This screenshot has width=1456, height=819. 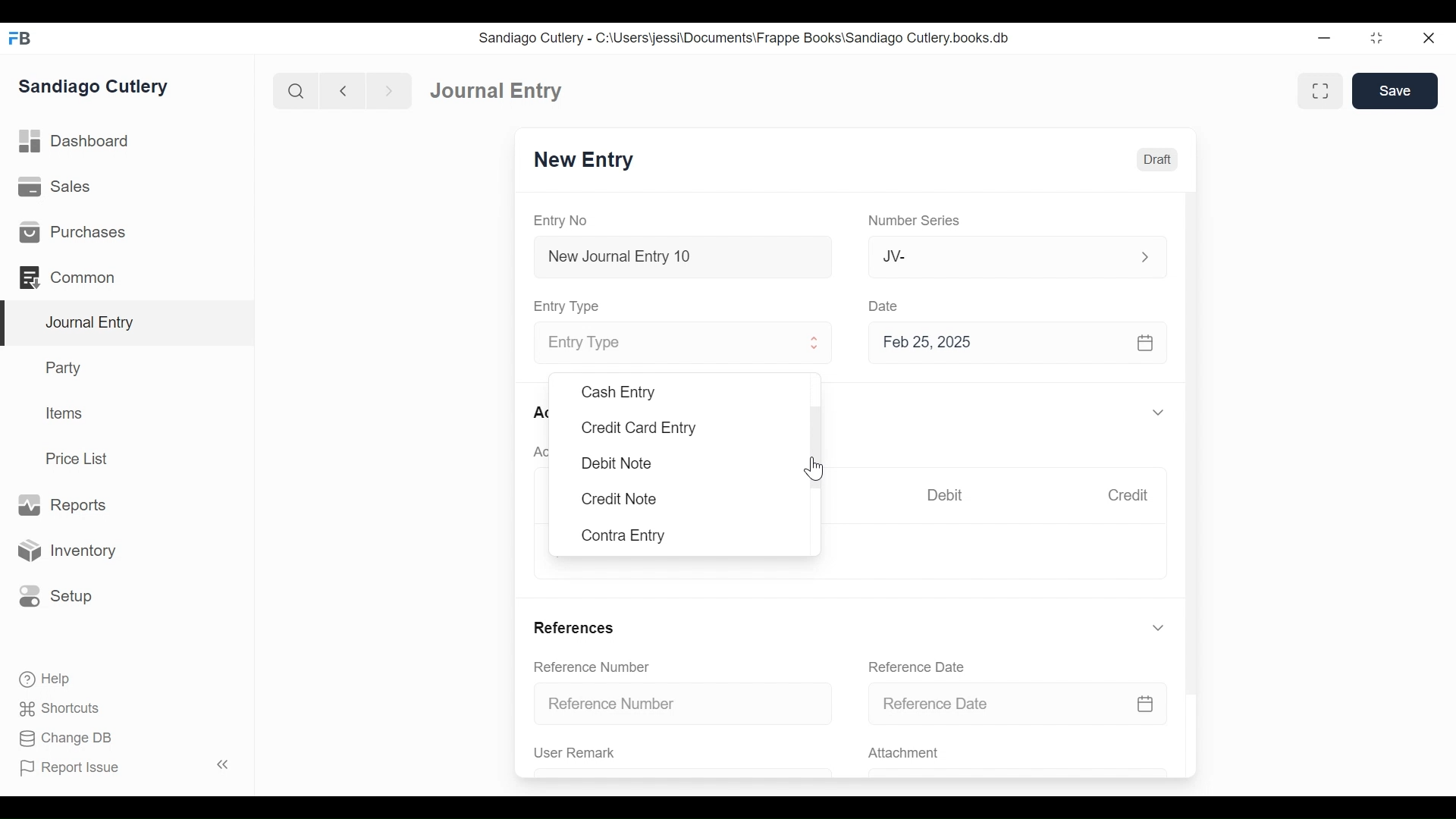 What do you see at coordinates (66, 415) in the screenshot?
I see `Items` at bounding box center [66, 415].